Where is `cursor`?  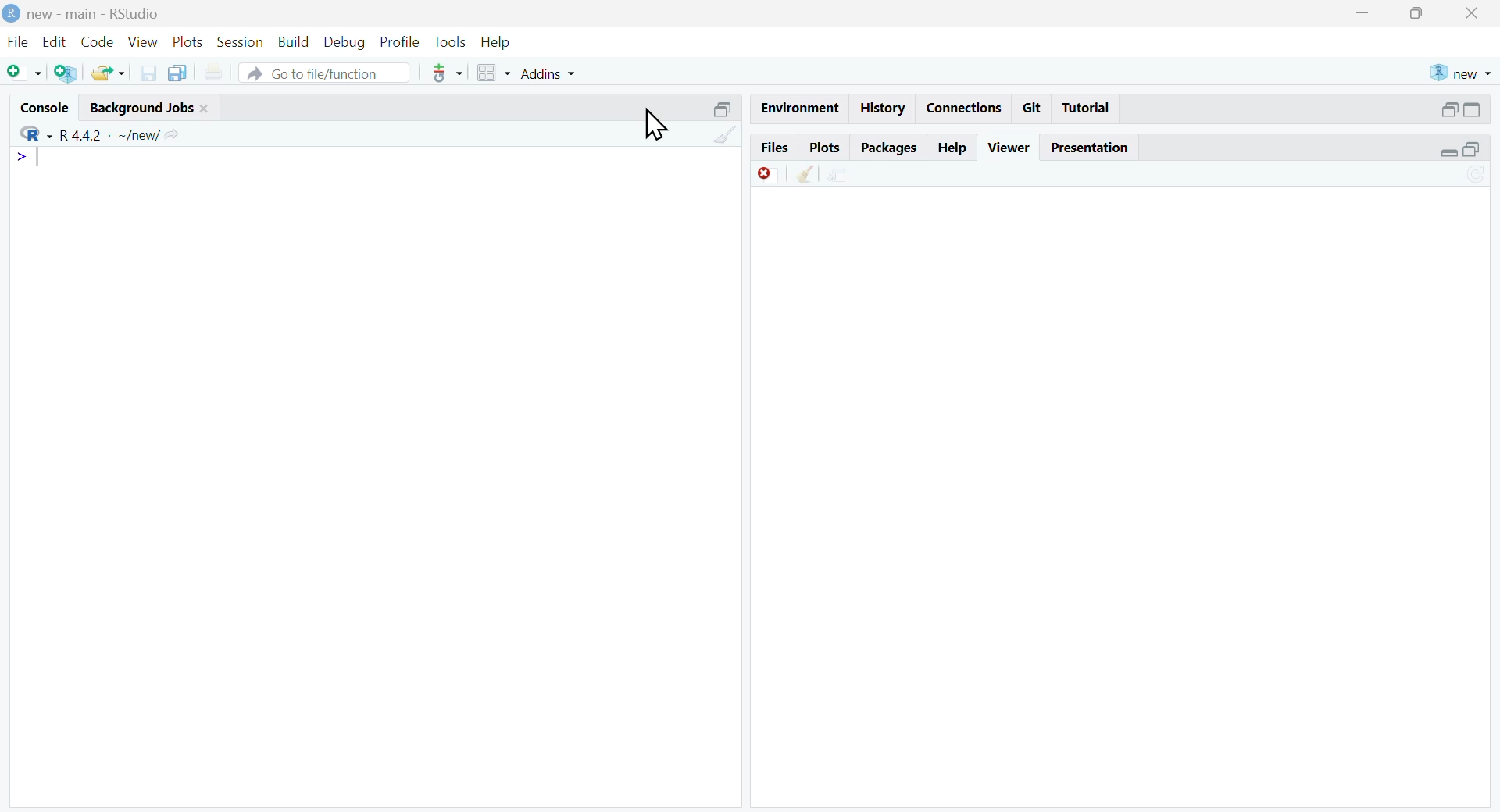
cursor is located at coordinates (659, 125).